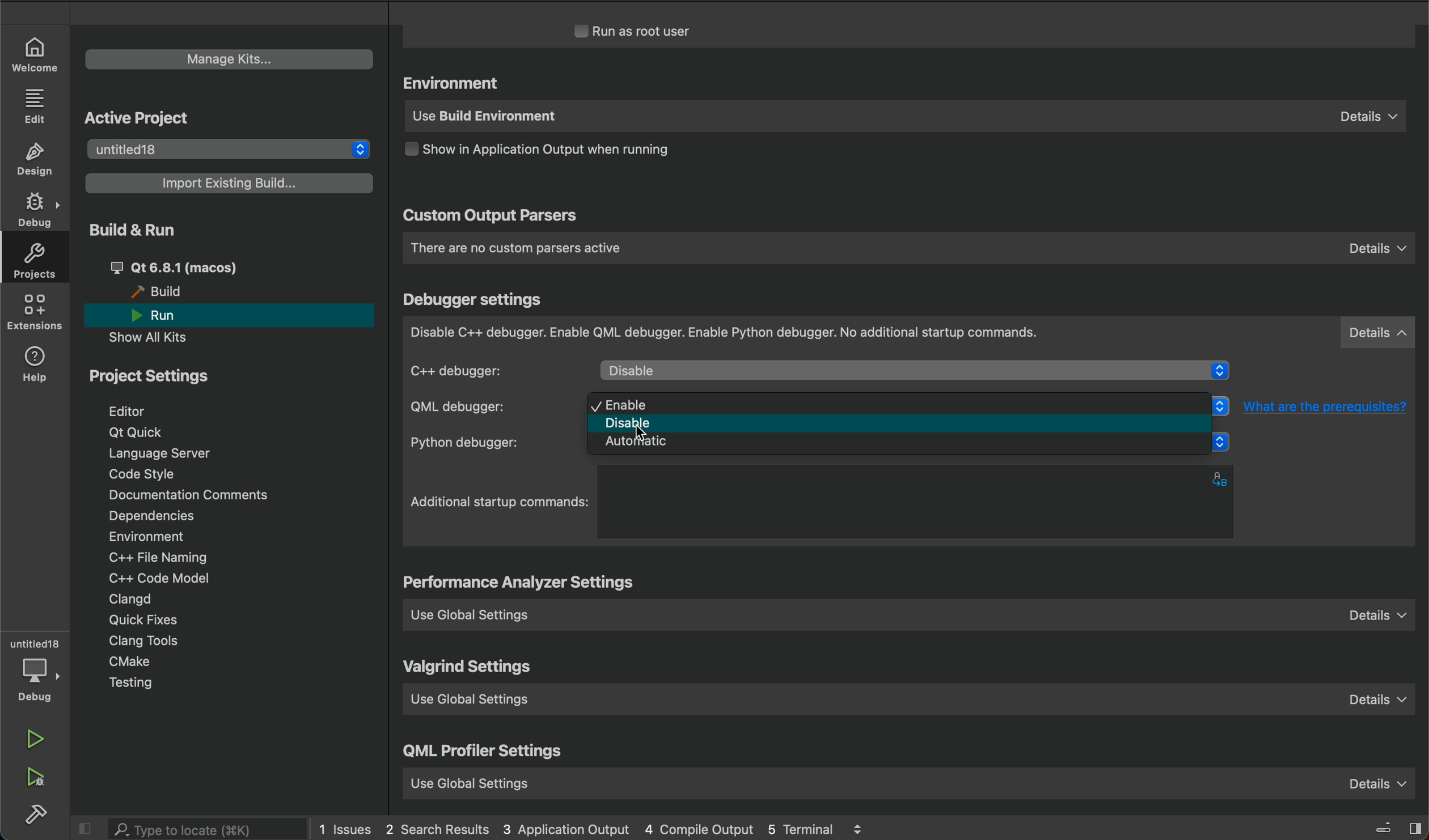 This screenshot has width=1429, height=840. What do you see at coordinates (130, 661) in the screenshot?
I see `cmake` at bounding box center [130, 661].